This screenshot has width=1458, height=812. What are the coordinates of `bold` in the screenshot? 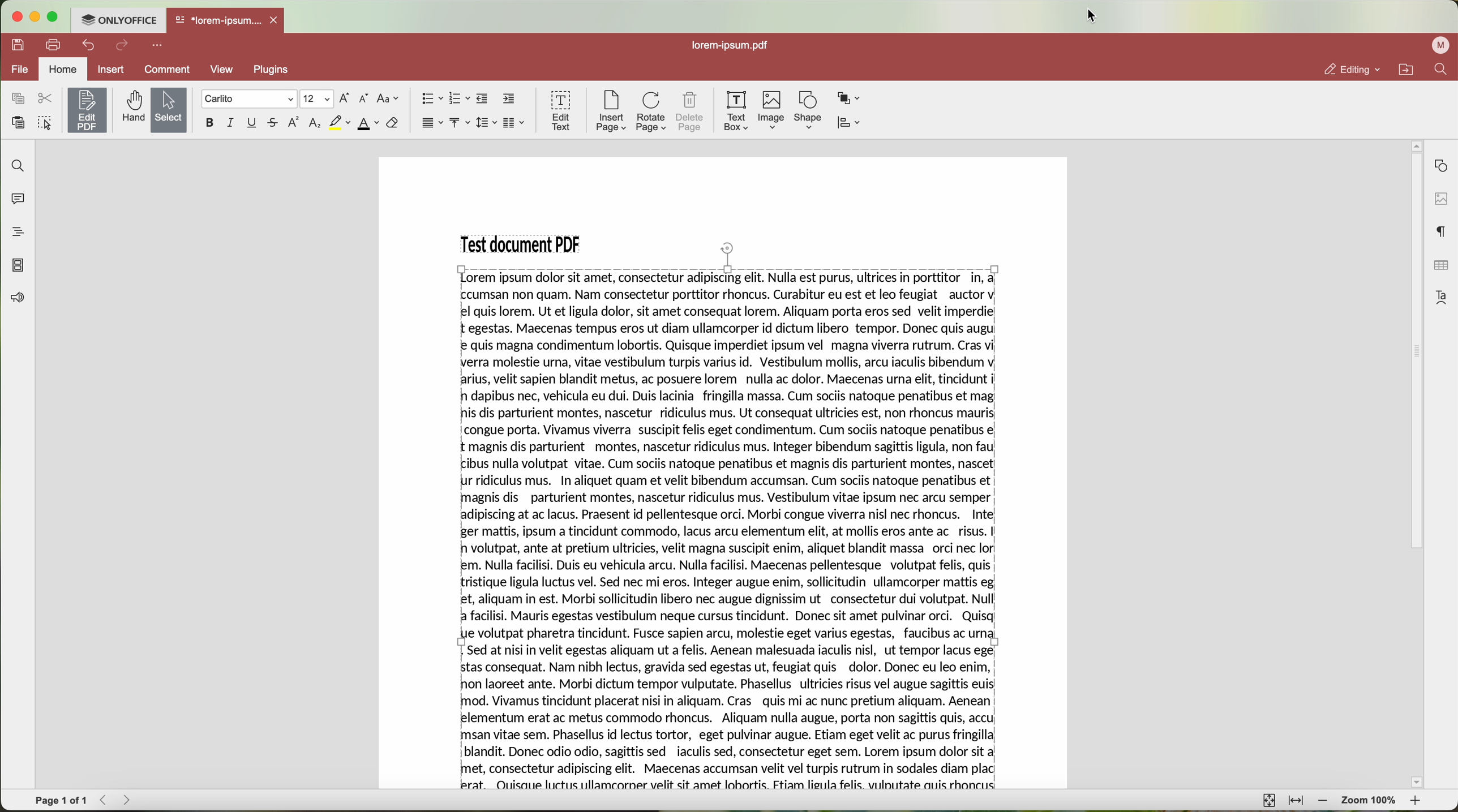 It's located at (211, 123).